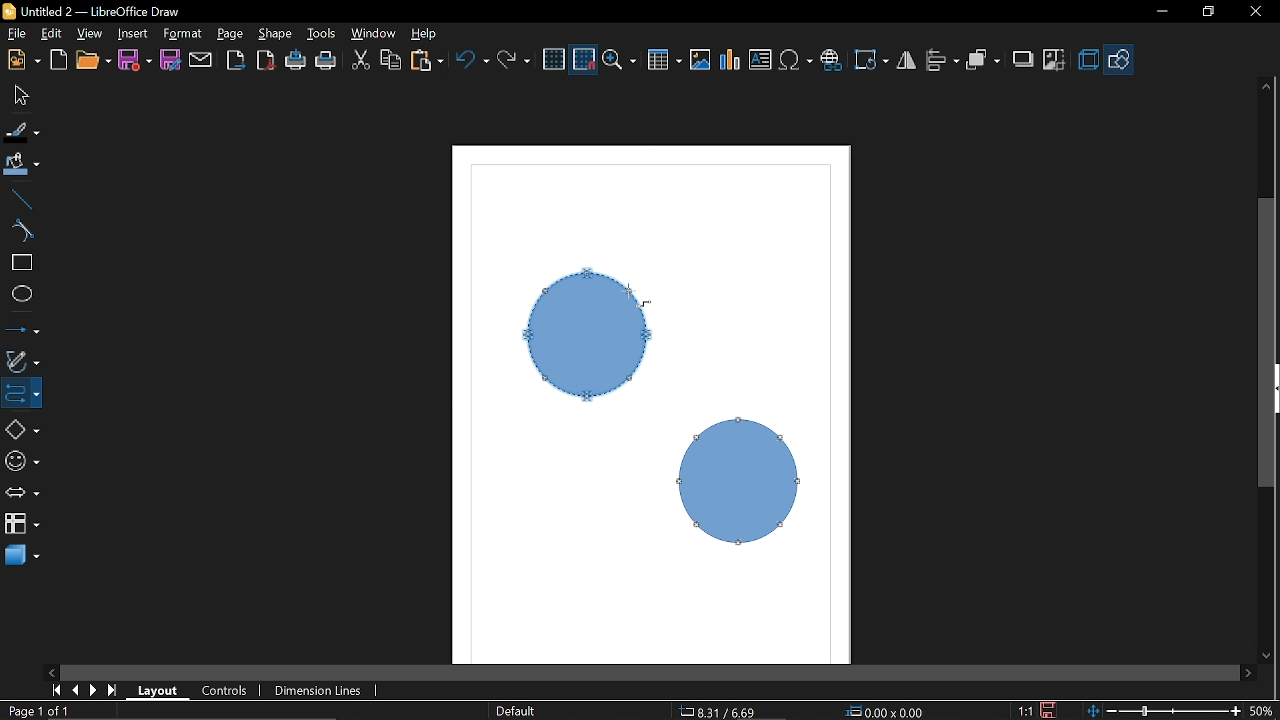  Describe the element at coordinates (516, 712) in the screenshot. I see `Page style` at that location.